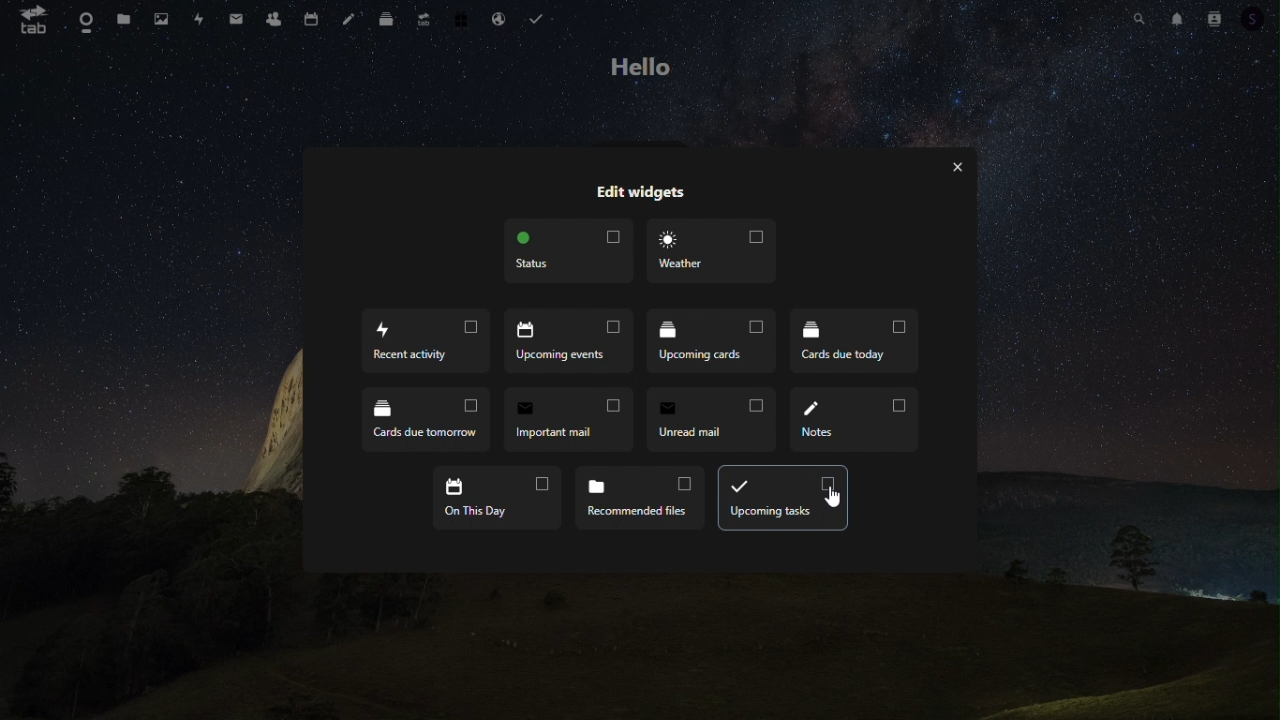 The height and width of the screenshot is (720, 1280). Describe the element at coordinates (538, 16) in the screenshot. I see `Task` at that location.